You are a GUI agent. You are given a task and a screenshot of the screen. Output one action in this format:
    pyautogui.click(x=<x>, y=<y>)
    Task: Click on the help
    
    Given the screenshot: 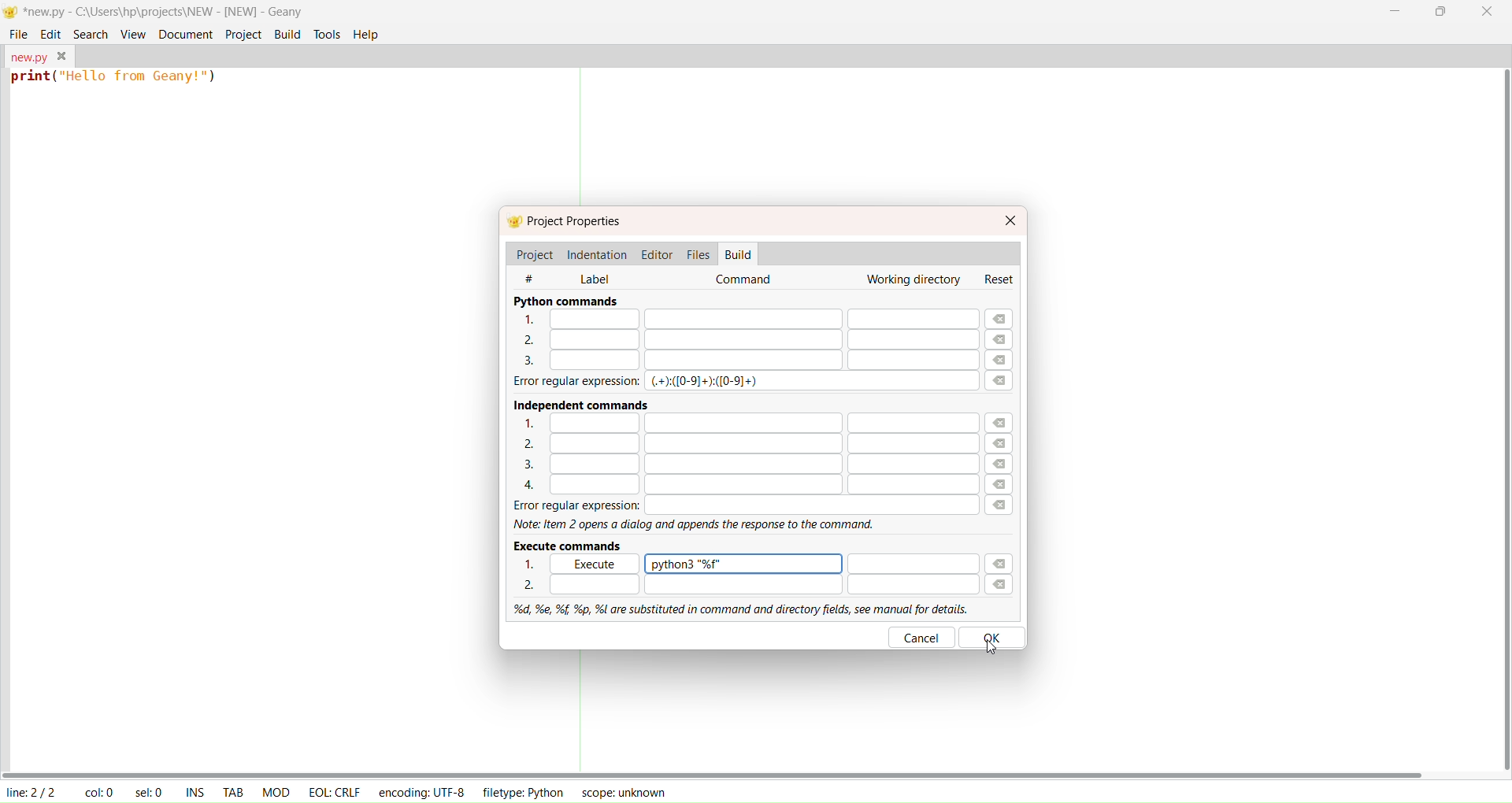 What is the action you would take?
    pyautogui.click(x=367, y=35)
    